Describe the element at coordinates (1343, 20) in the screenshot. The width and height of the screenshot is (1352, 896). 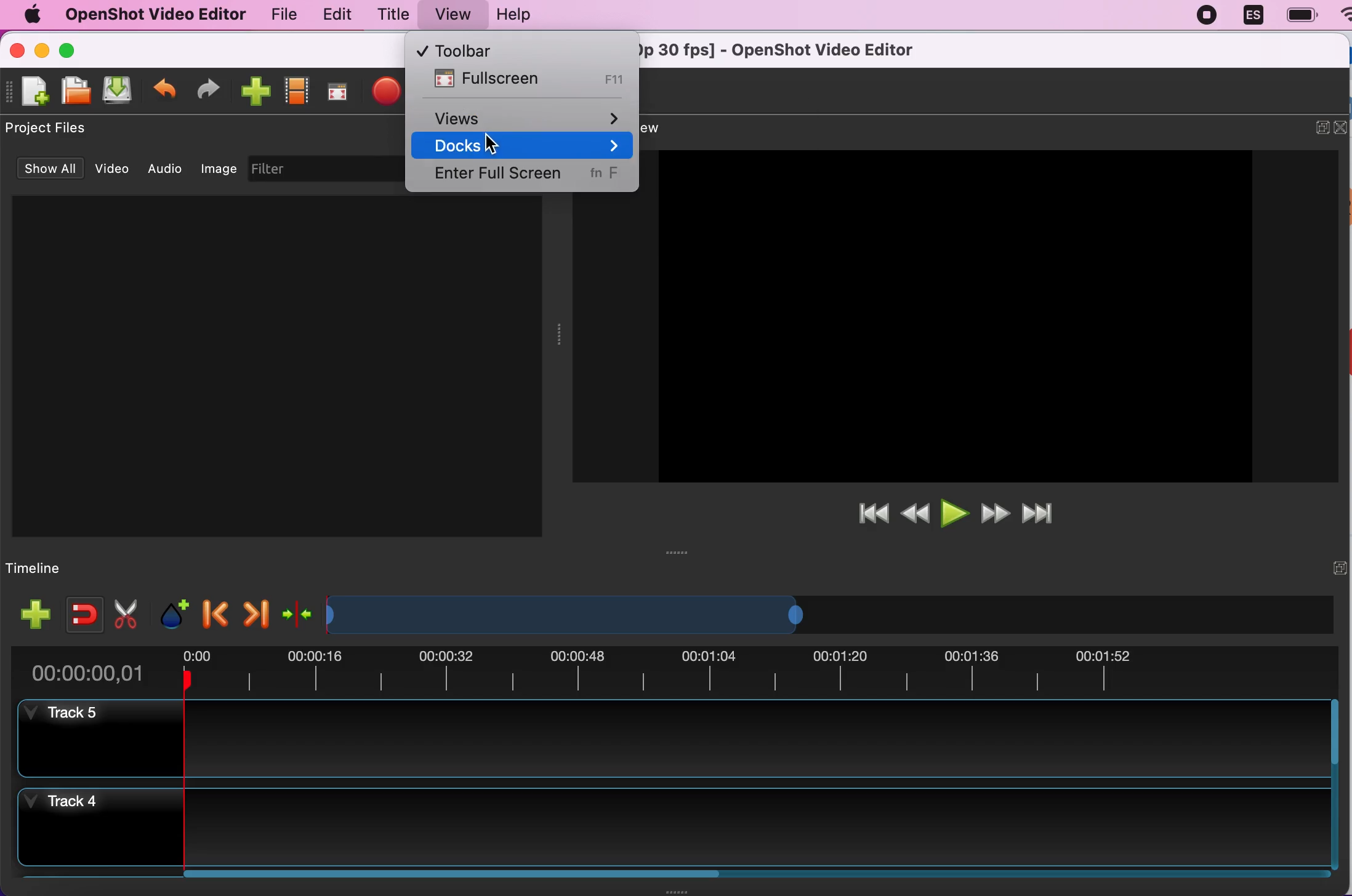
I see `wifi` at that location.